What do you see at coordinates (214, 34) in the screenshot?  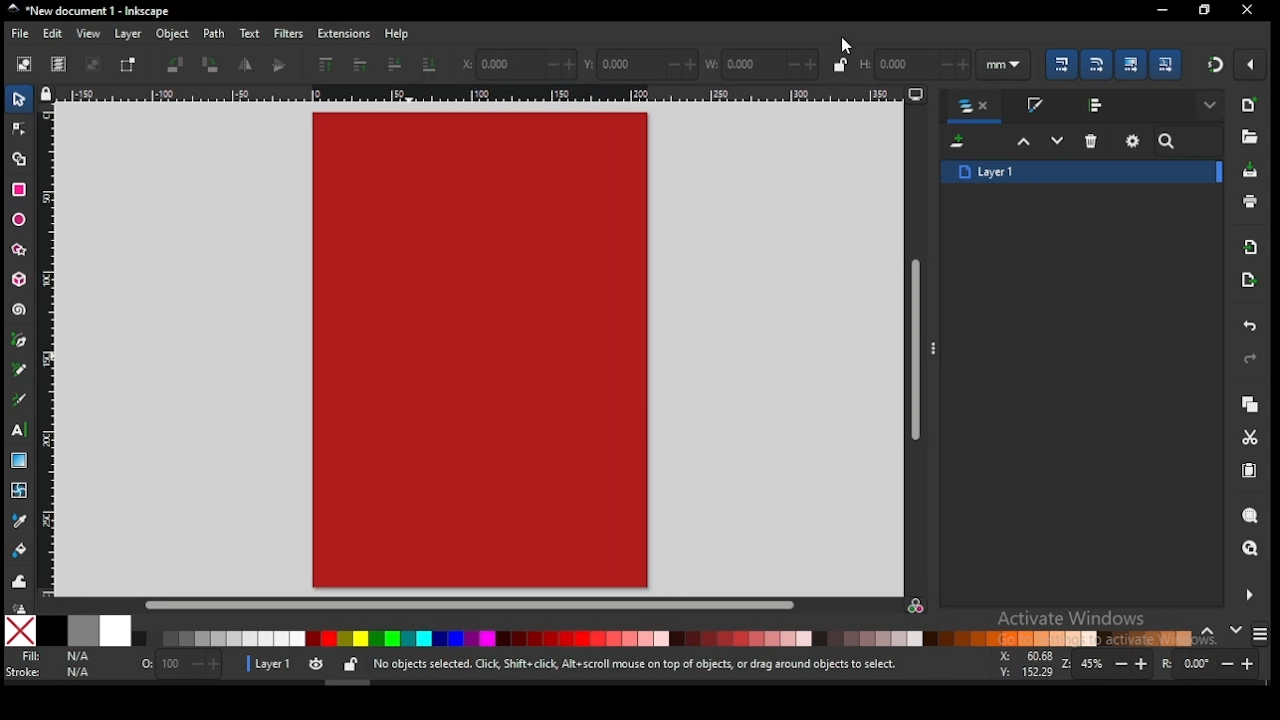 I see `path` at bounding box center [214, 34].